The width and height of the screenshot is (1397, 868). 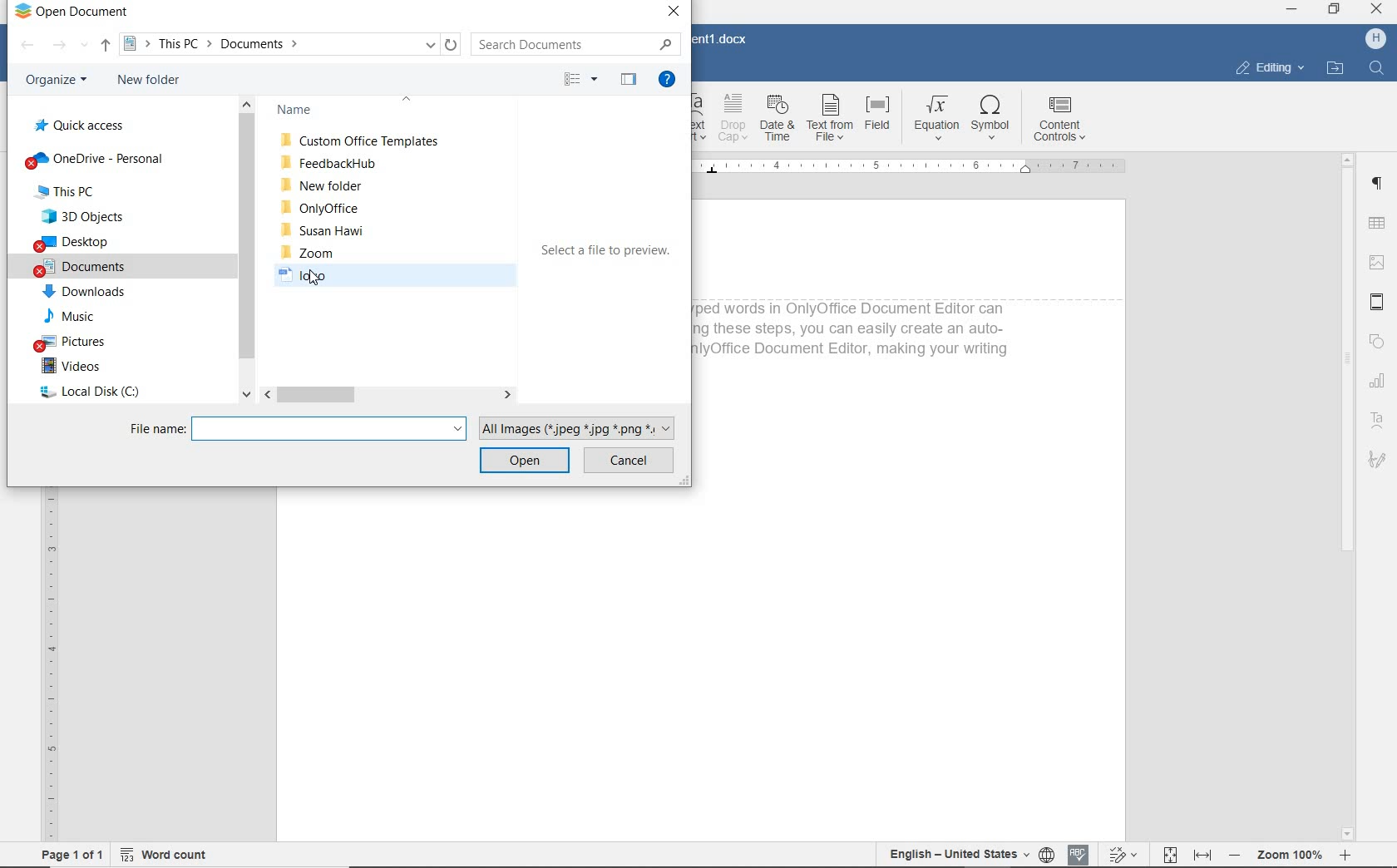 What do you see at coordinates (321, 185) in the screenshot?
I see `New folder` at bounding box center [321, 185].